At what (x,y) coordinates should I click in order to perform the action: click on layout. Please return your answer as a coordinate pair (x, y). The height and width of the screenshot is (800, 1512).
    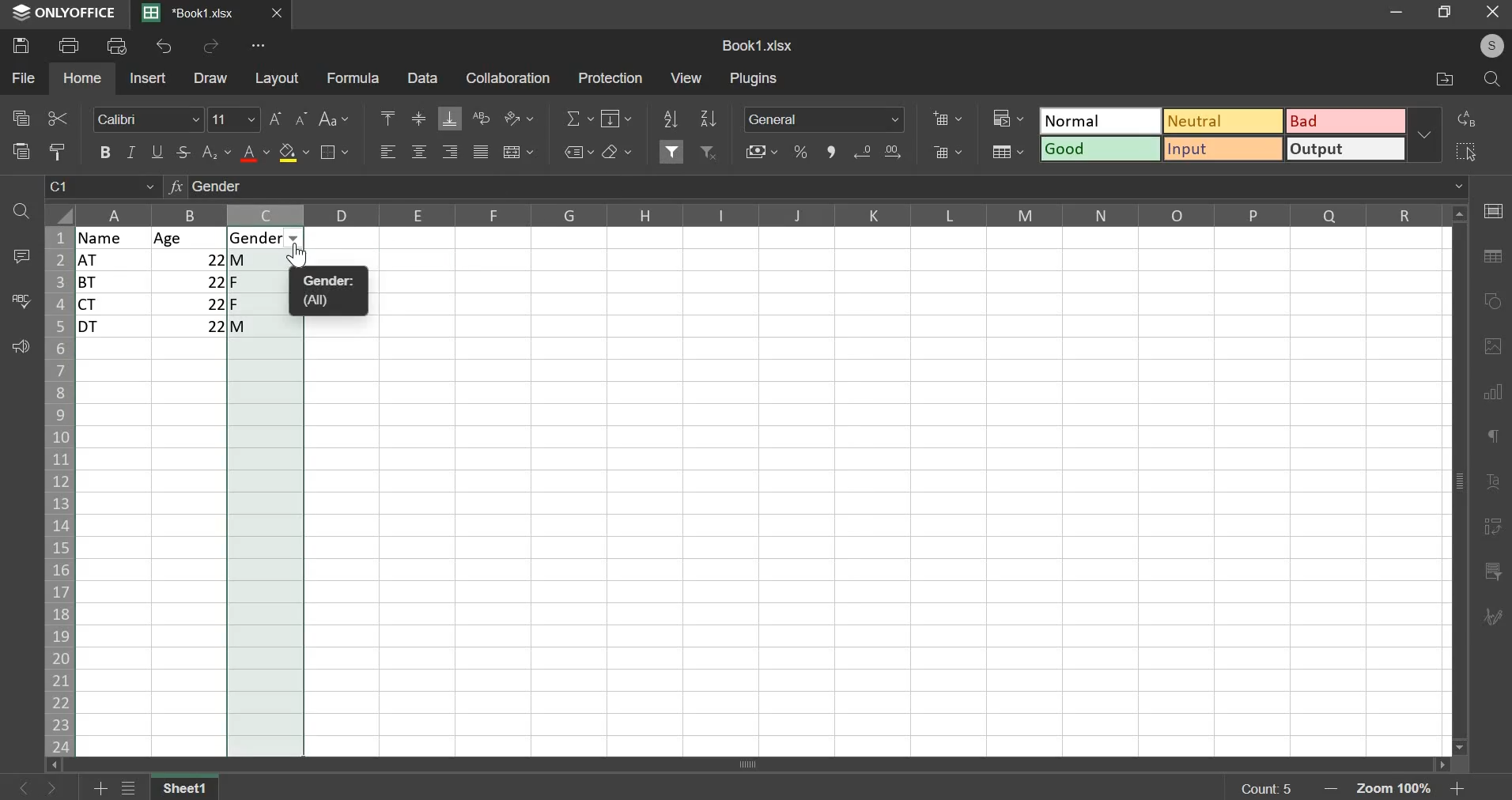
    Looking at the image, I should click on (276, 77).